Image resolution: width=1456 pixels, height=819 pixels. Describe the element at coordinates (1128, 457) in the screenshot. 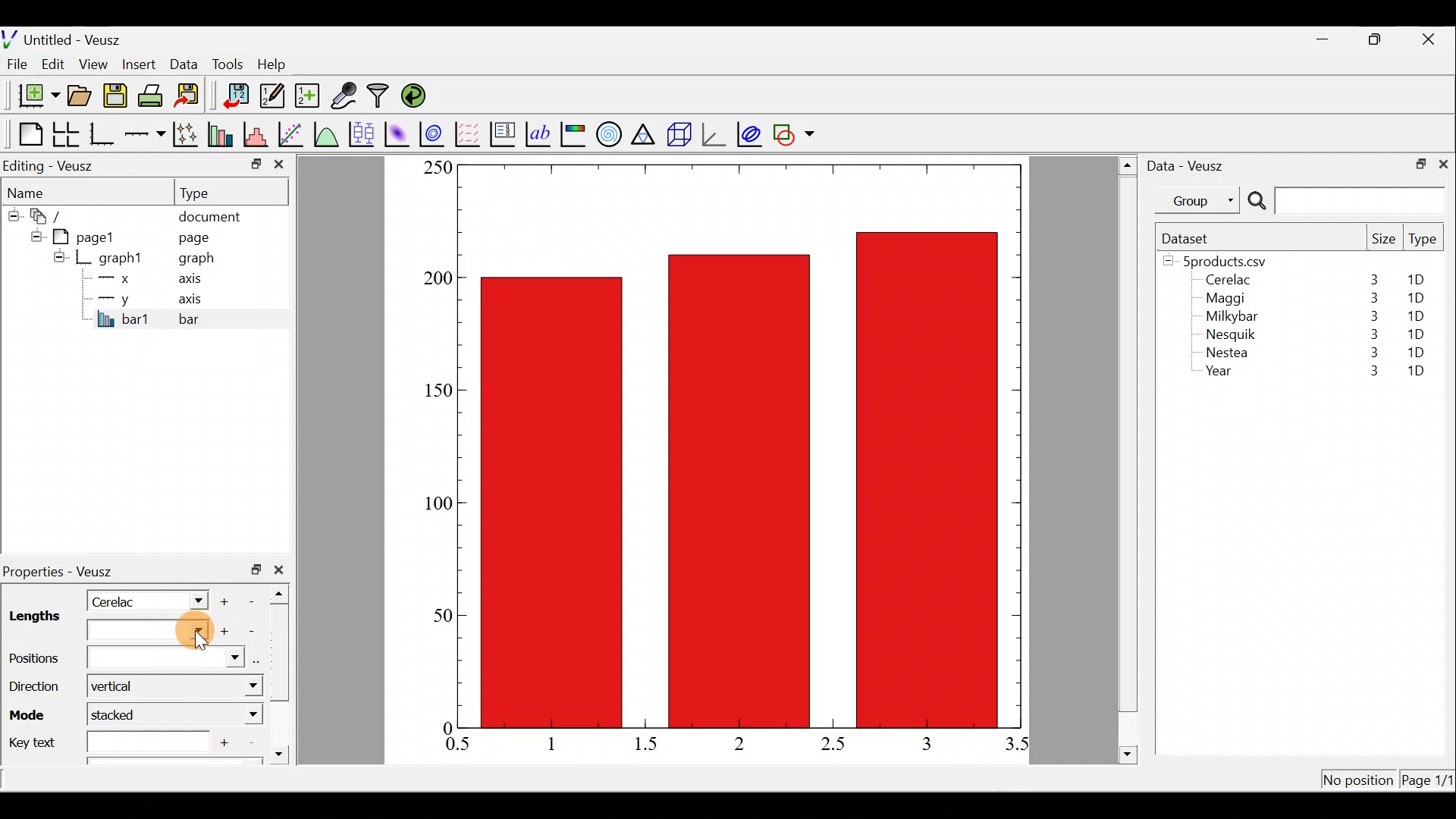

I see `scroll bar` at that location.